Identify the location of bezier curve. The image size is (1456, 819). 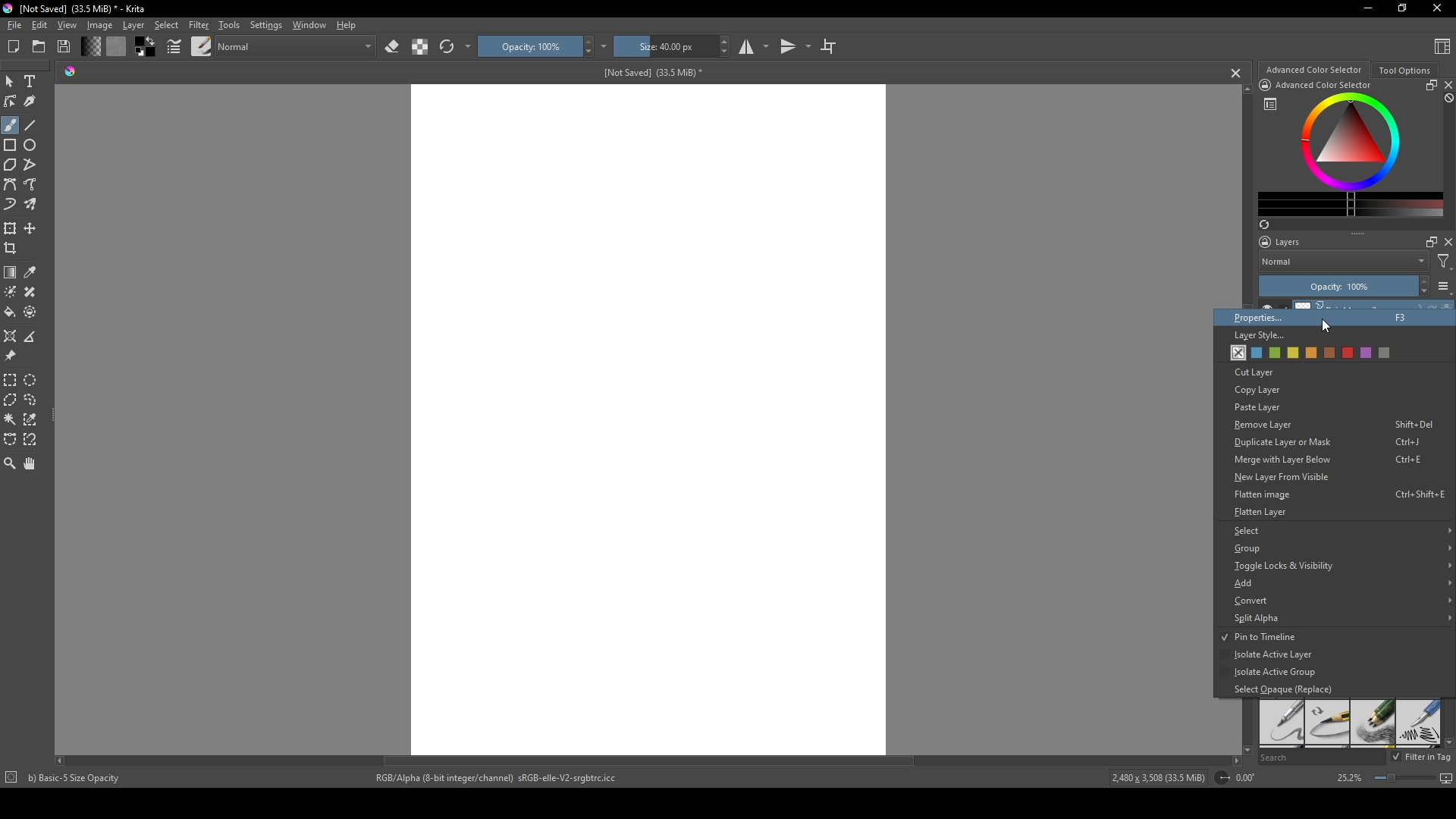
(11, 440).